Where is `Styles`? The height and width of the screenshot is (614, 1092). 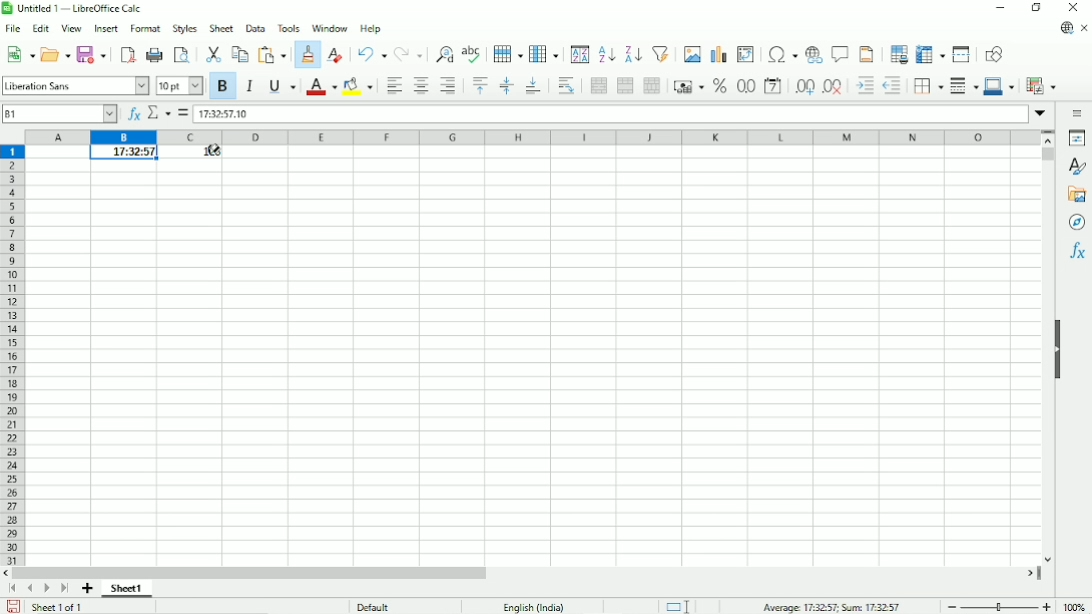
Styles is located at coordinates (185, 29).